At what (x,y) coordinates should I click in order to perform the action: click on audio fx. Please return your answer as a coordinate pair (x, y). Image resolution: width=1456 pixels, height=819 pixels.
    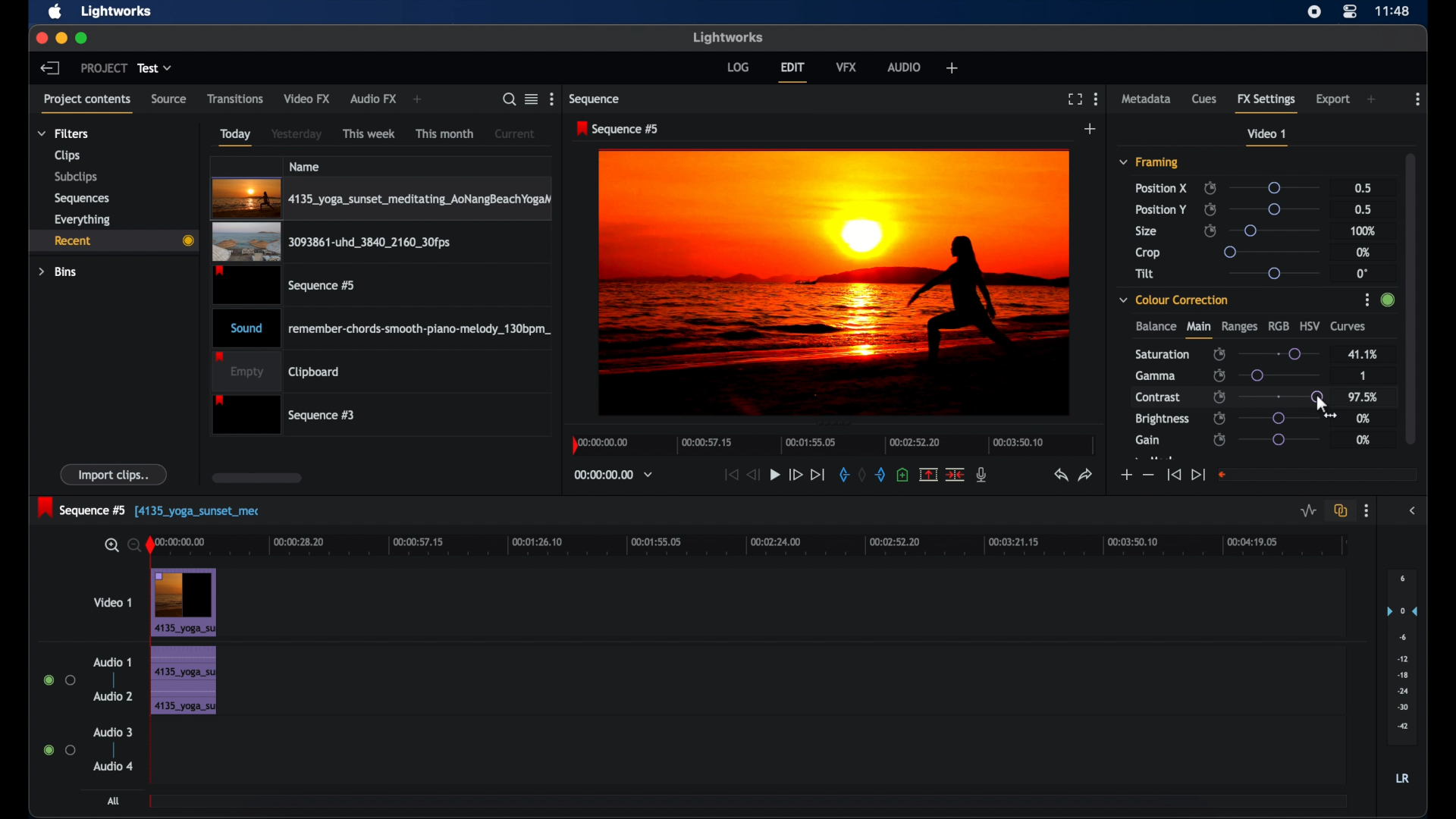
    Looking at the image, I should click on (373, 99).